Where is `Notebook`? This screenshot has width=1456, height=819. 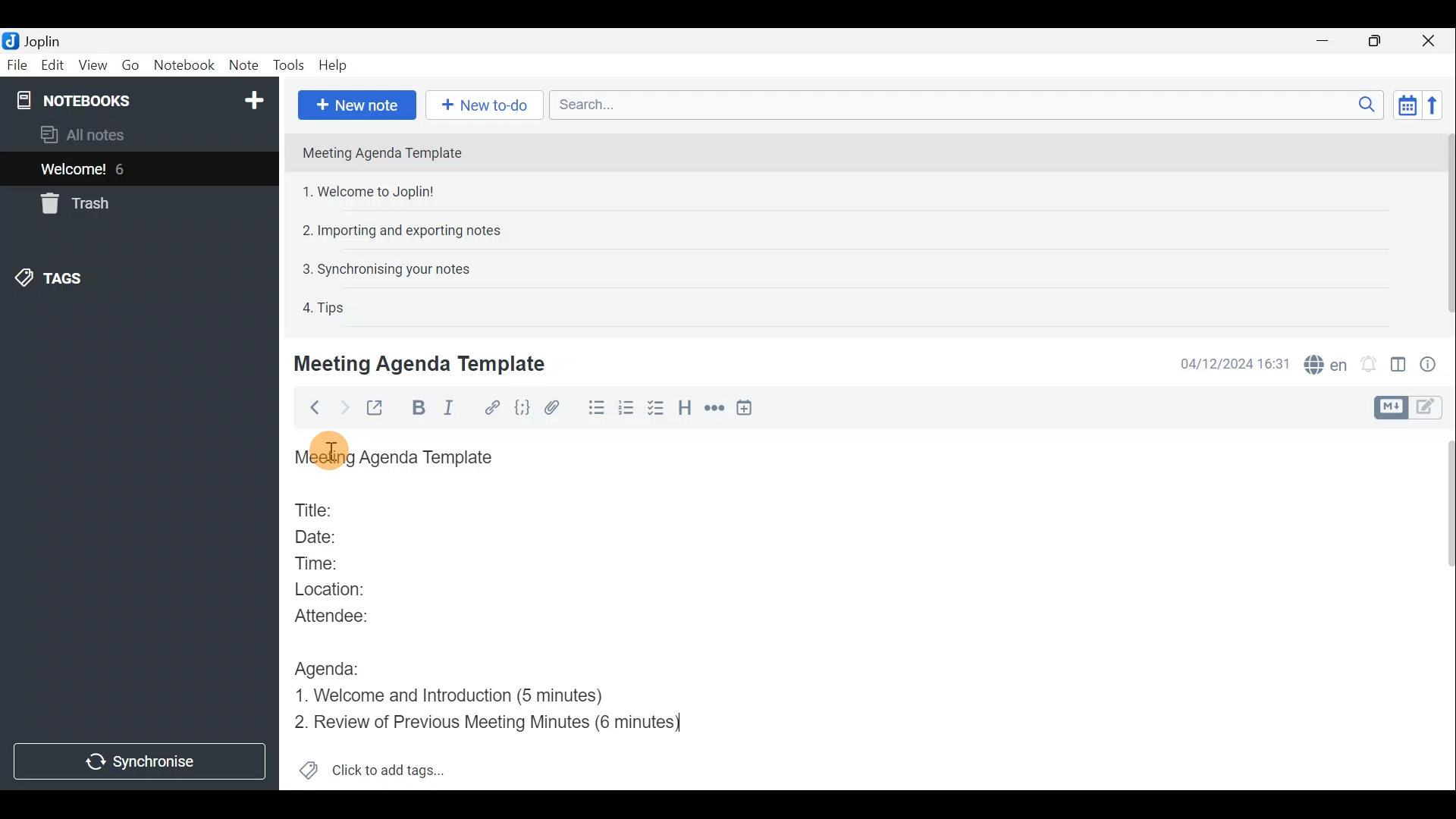 Notebook is located at coordinates (183, 64).